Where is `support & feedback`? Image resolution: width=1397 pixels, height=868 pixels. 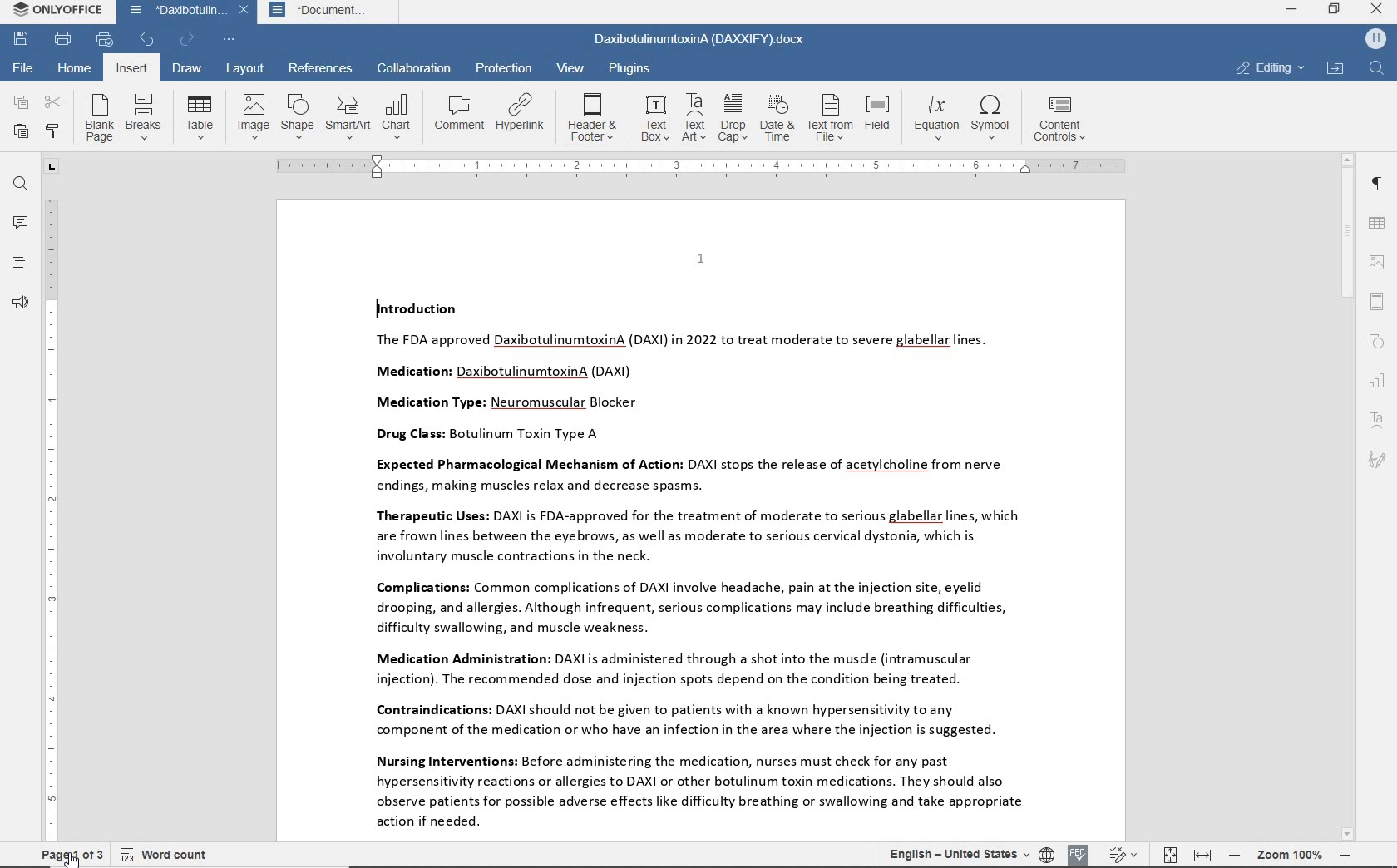
support & feedback is located at coordinates (21, 302).